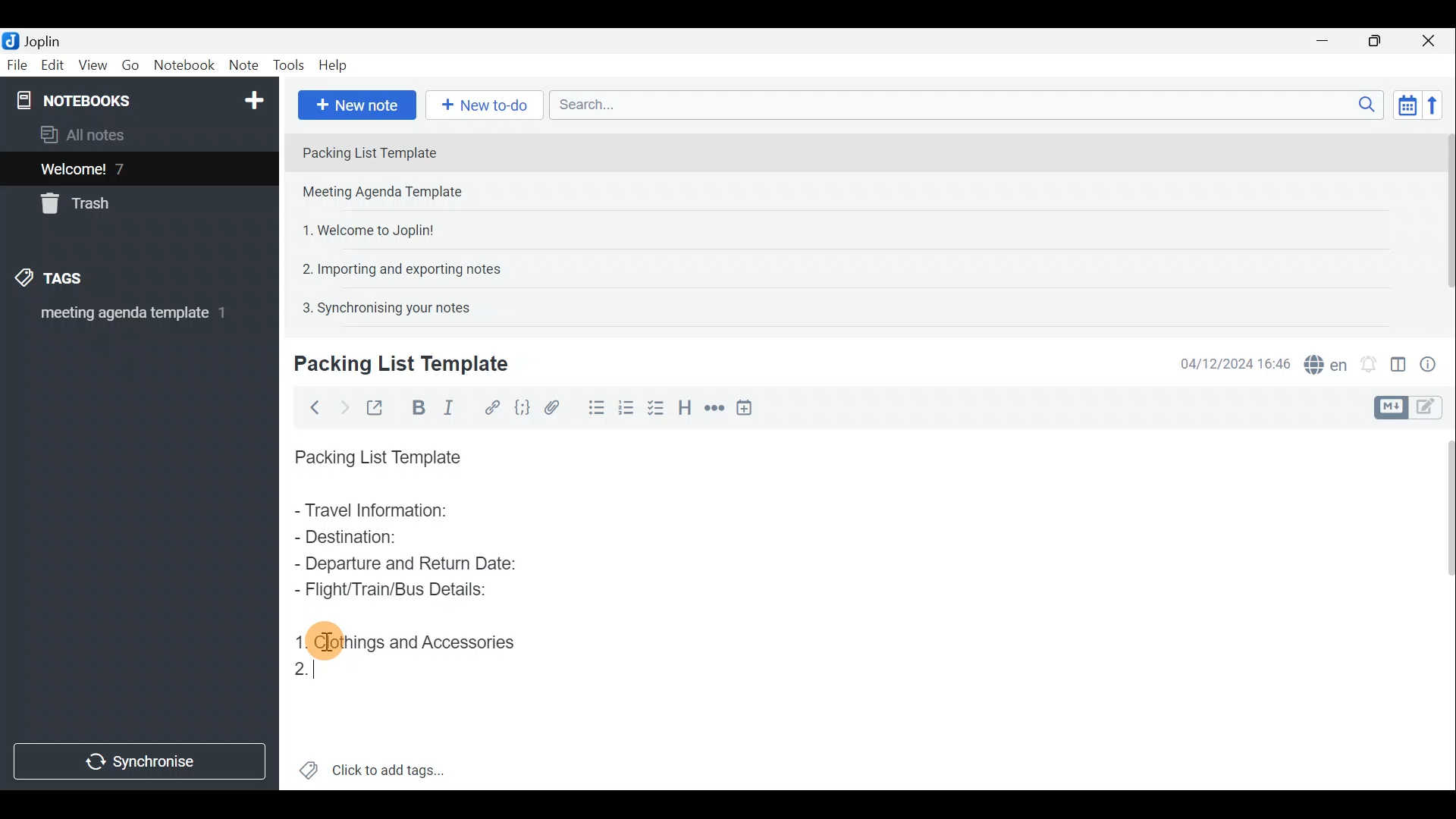 This screenshot has width=1456, height=819. I want to click on Minimise, so click(1330, 43).